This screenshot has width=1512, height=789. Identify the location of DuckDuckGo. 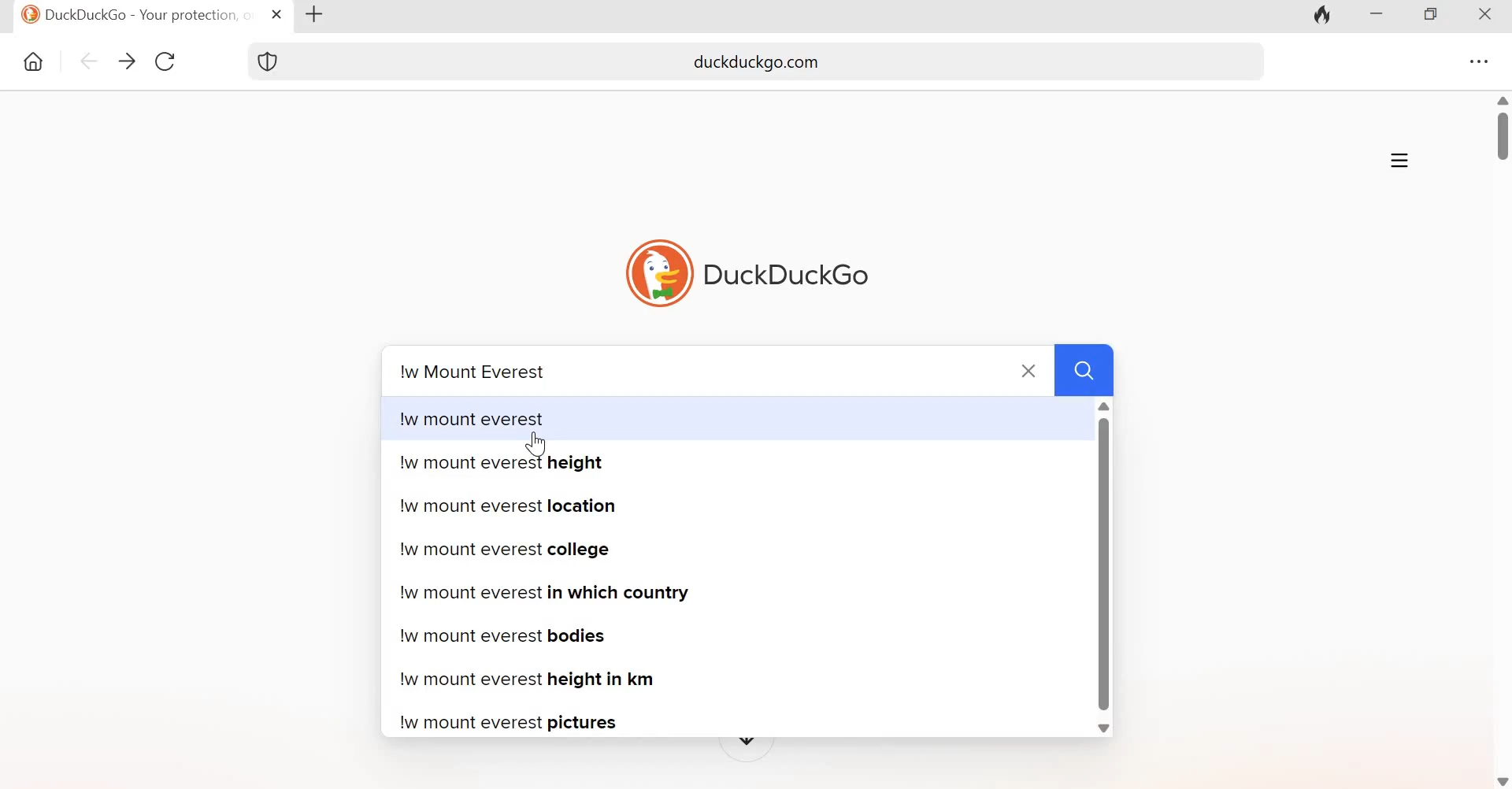
(787, 276).